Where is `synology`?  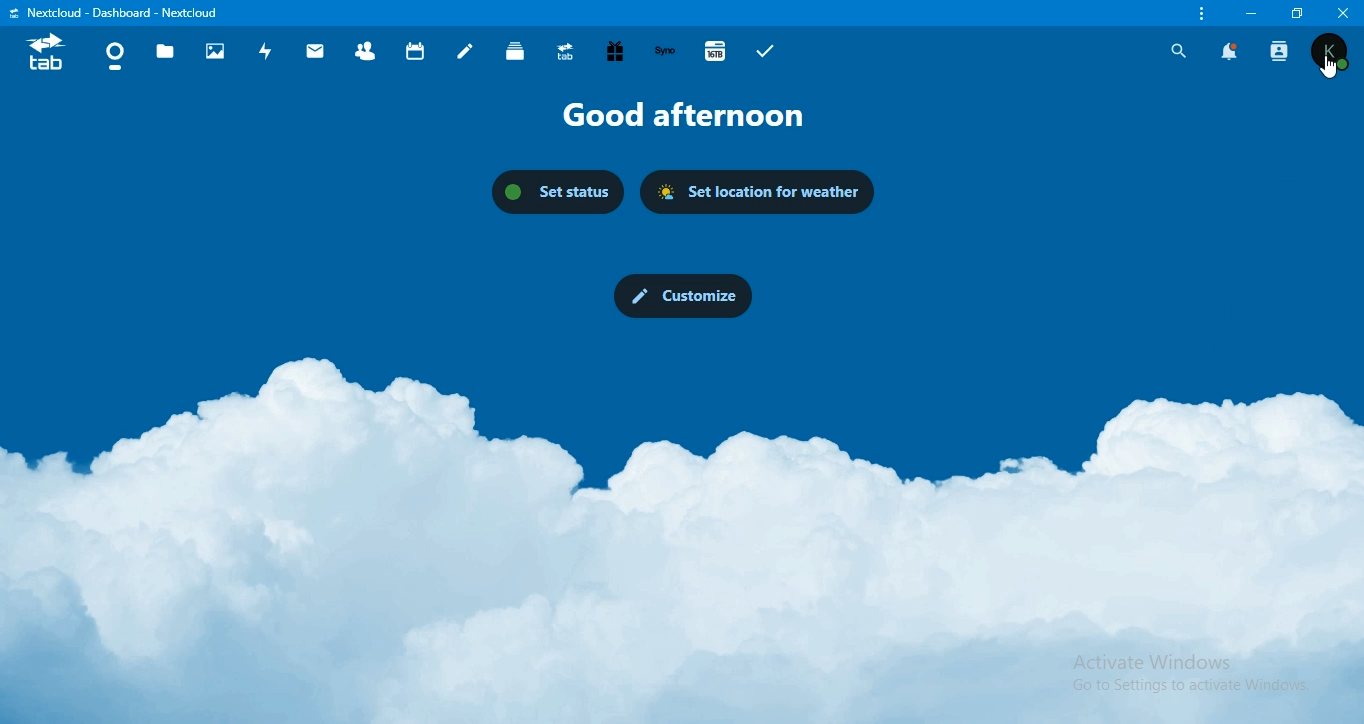
synology is located at coordinates (668, 51).